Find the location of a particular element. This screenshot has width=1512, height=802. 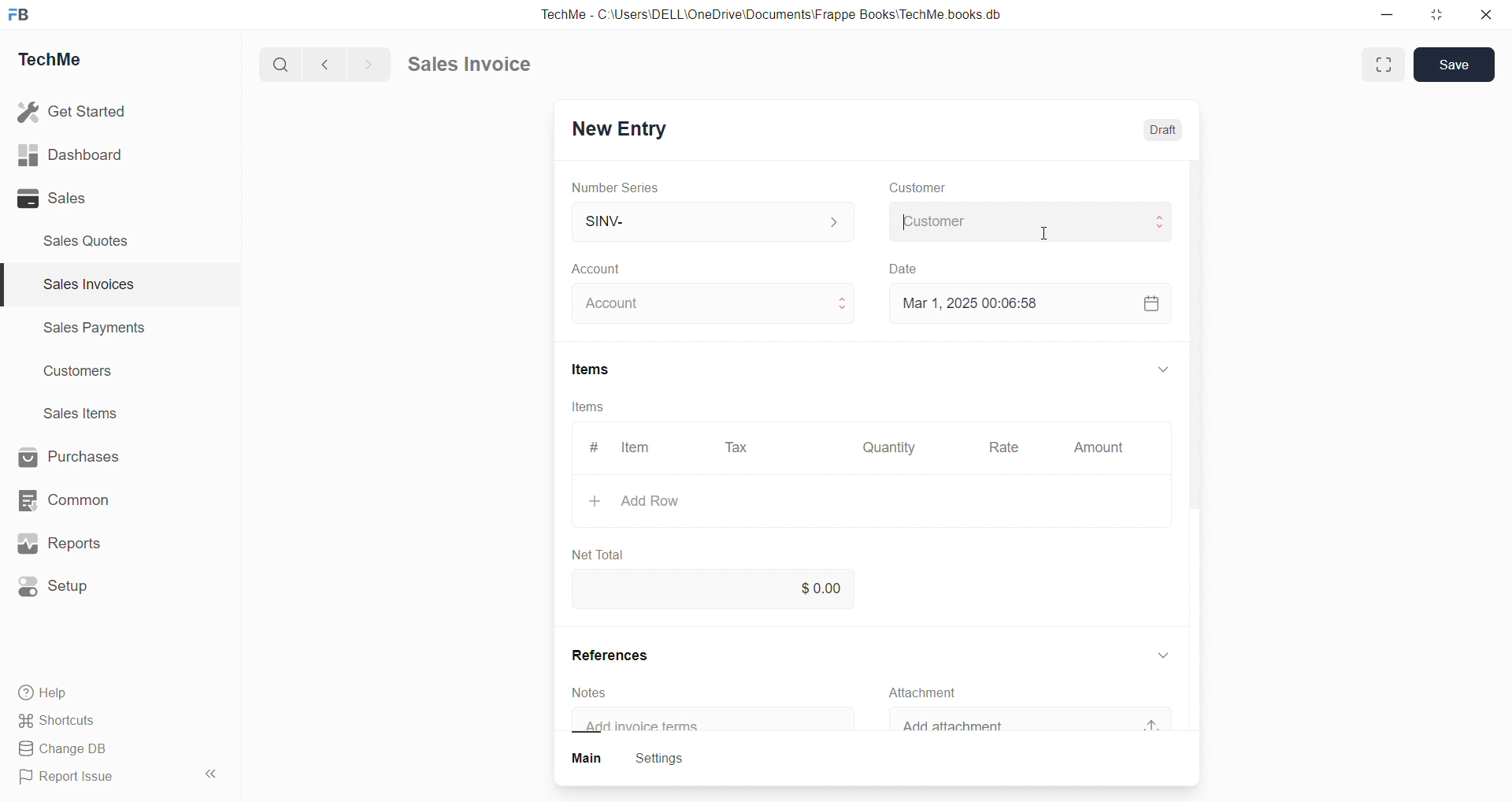

 is located at coordinates (587, 759).